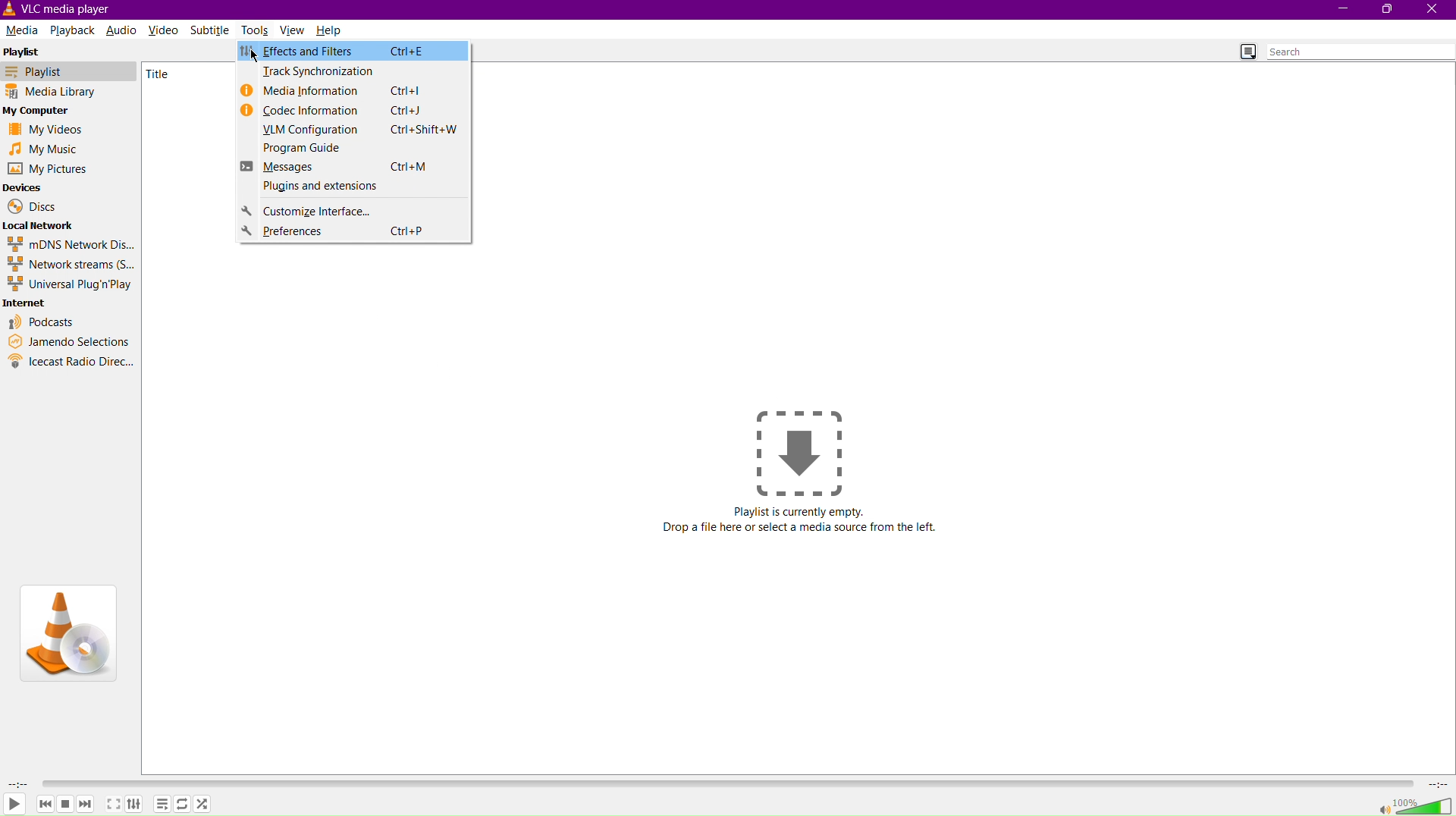  Describe the element at coordinates (799, 452) in the screenshot. I see `Drop a file` at that location.